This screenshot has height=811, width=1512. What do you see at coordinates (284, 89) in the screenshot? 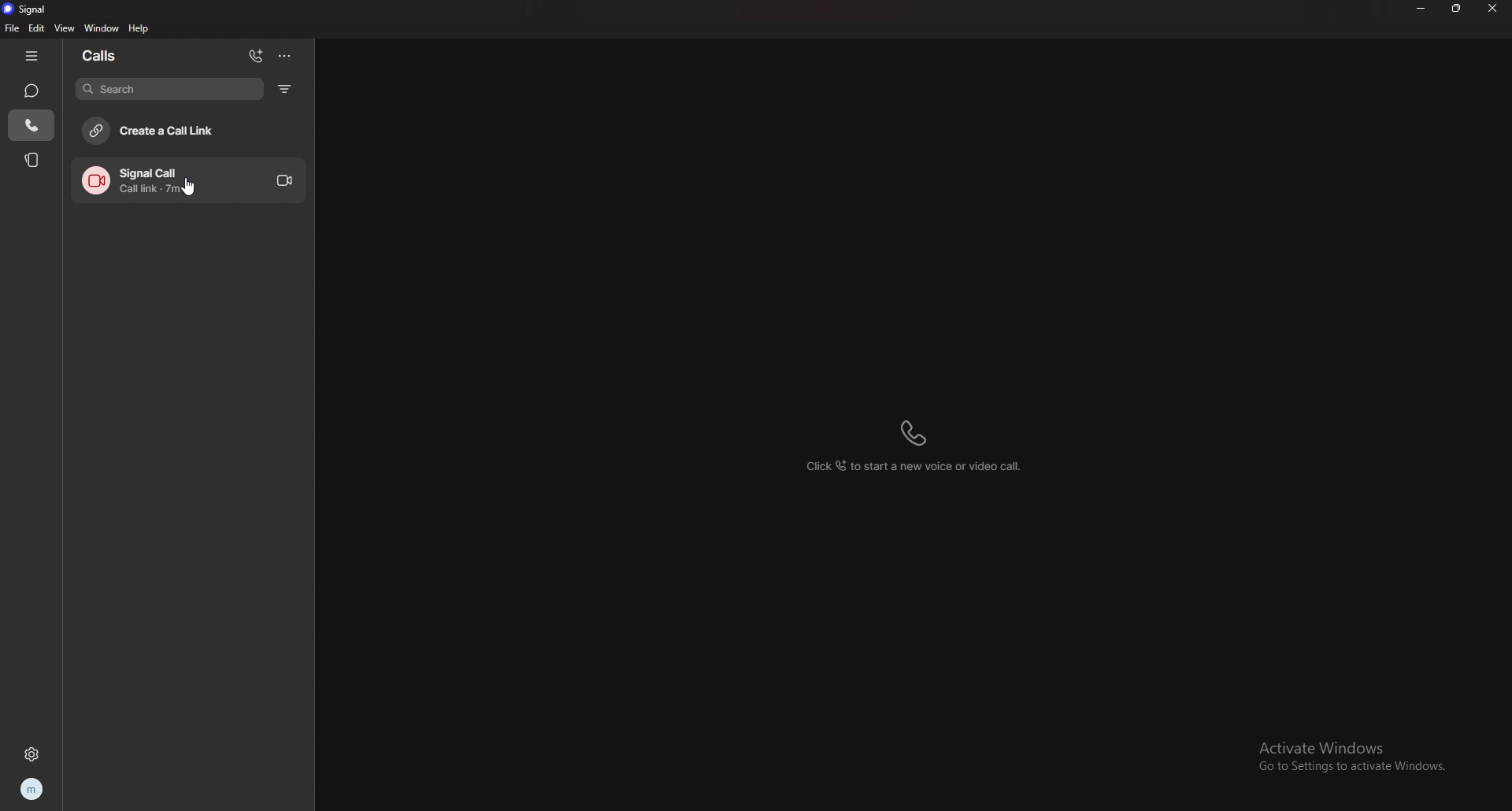
I see `filter` at bounding box center [284, 89].